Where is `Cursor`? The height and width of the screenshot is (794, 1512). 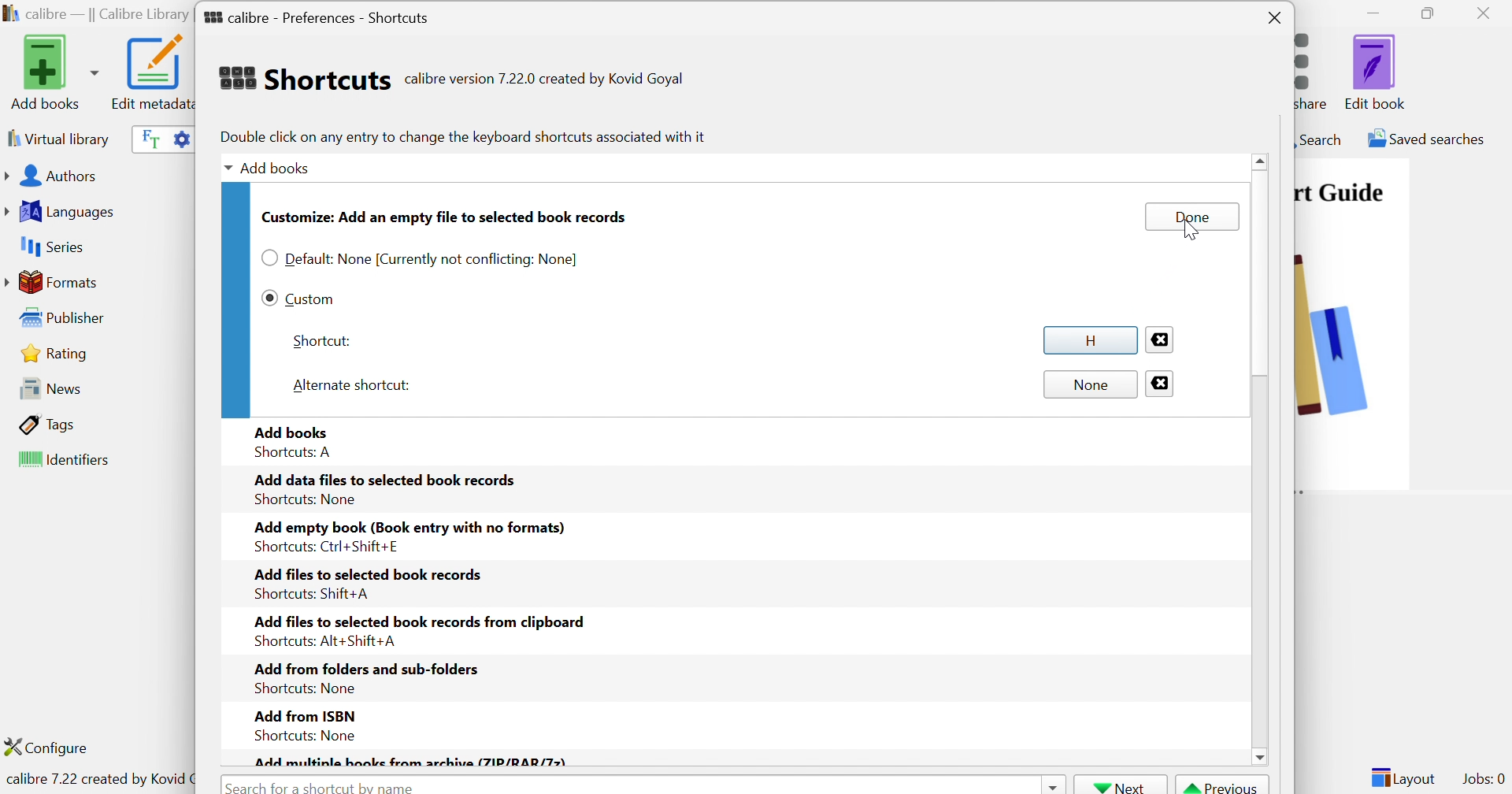
Cursor is located at coordinates (1189, 232).